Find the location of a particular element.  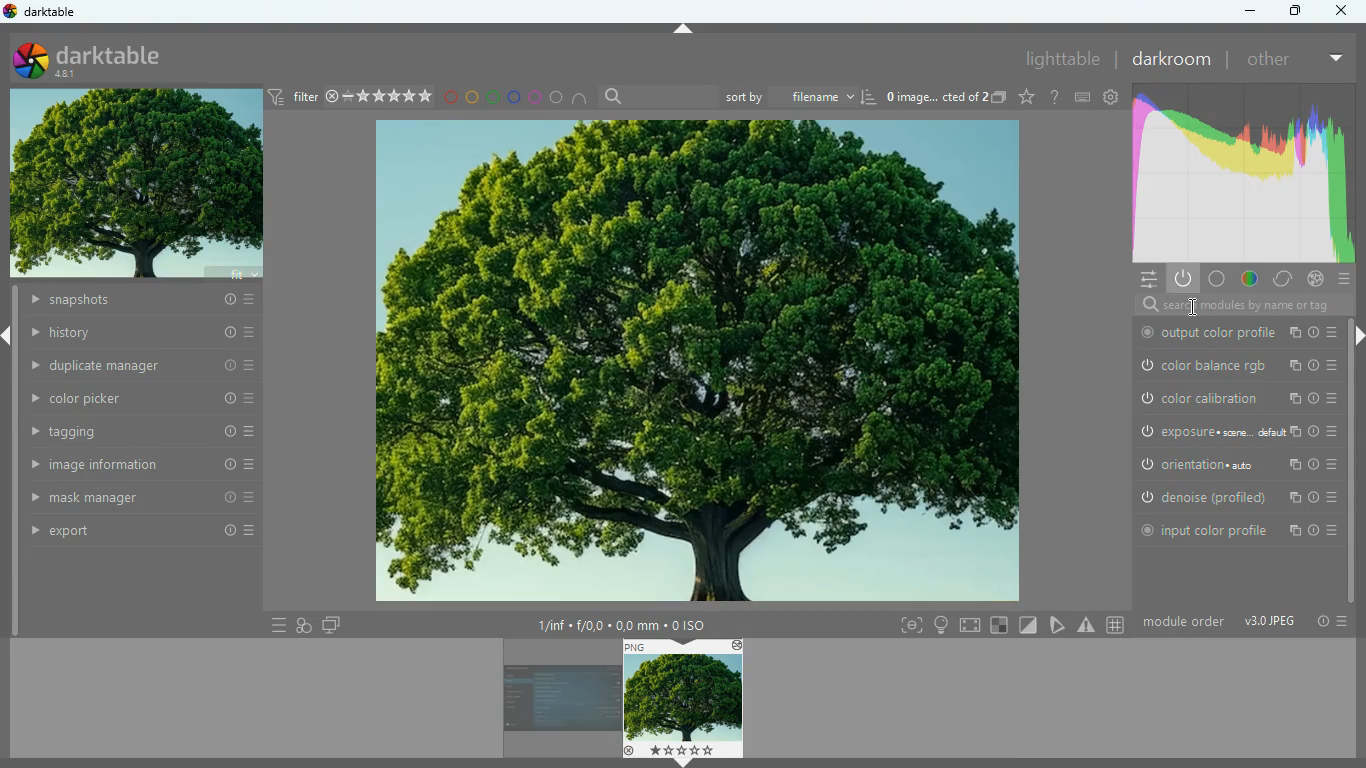

image name is located at coordinates (937, 97).